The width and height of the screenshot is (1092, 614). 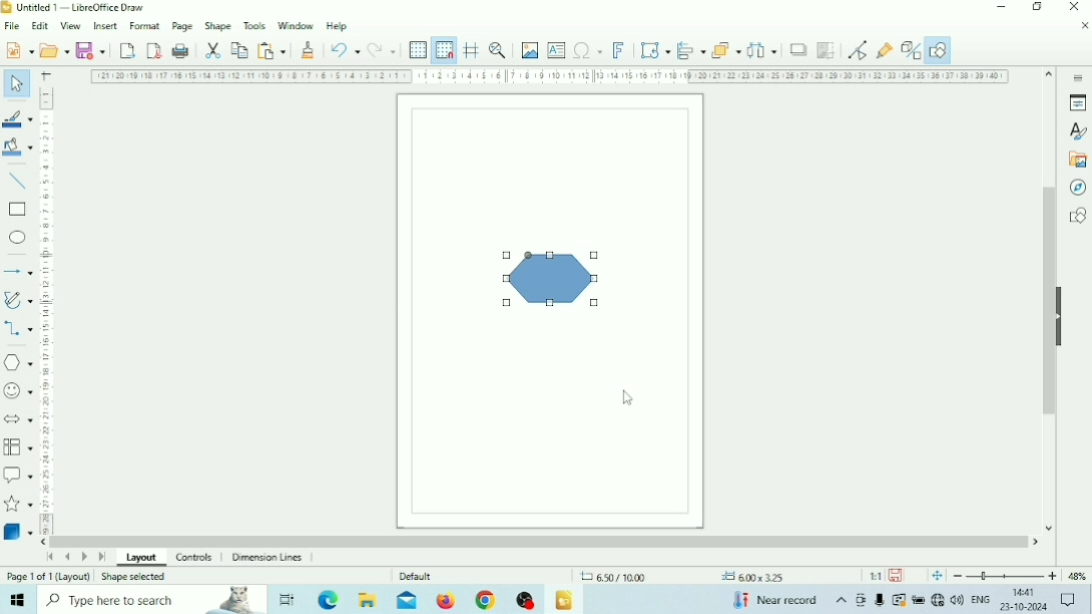 I want to click on Horizontal scrollbar, so click(x=540, y=541).